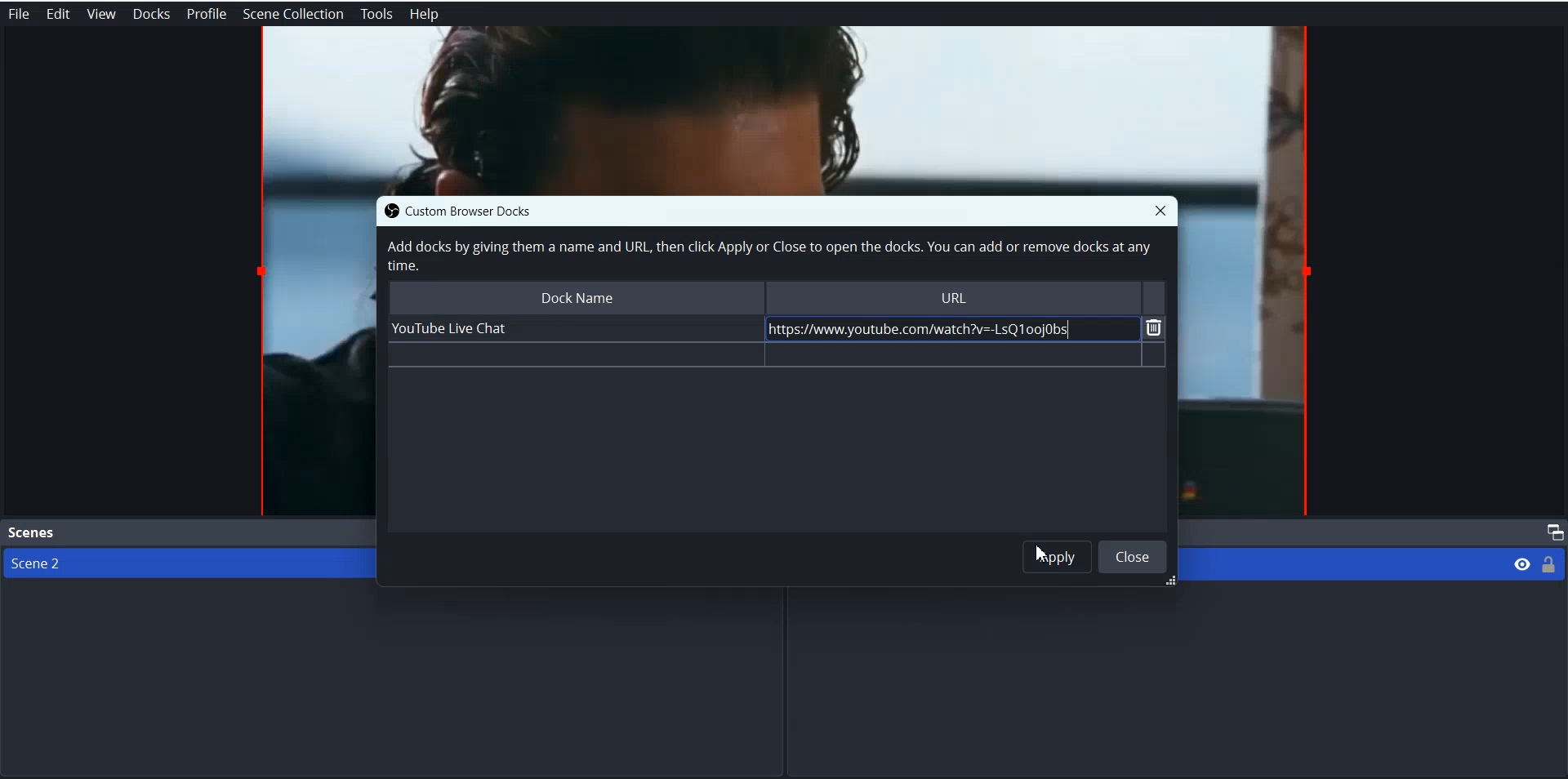  I want to click on Eye, so click(1522, 563).